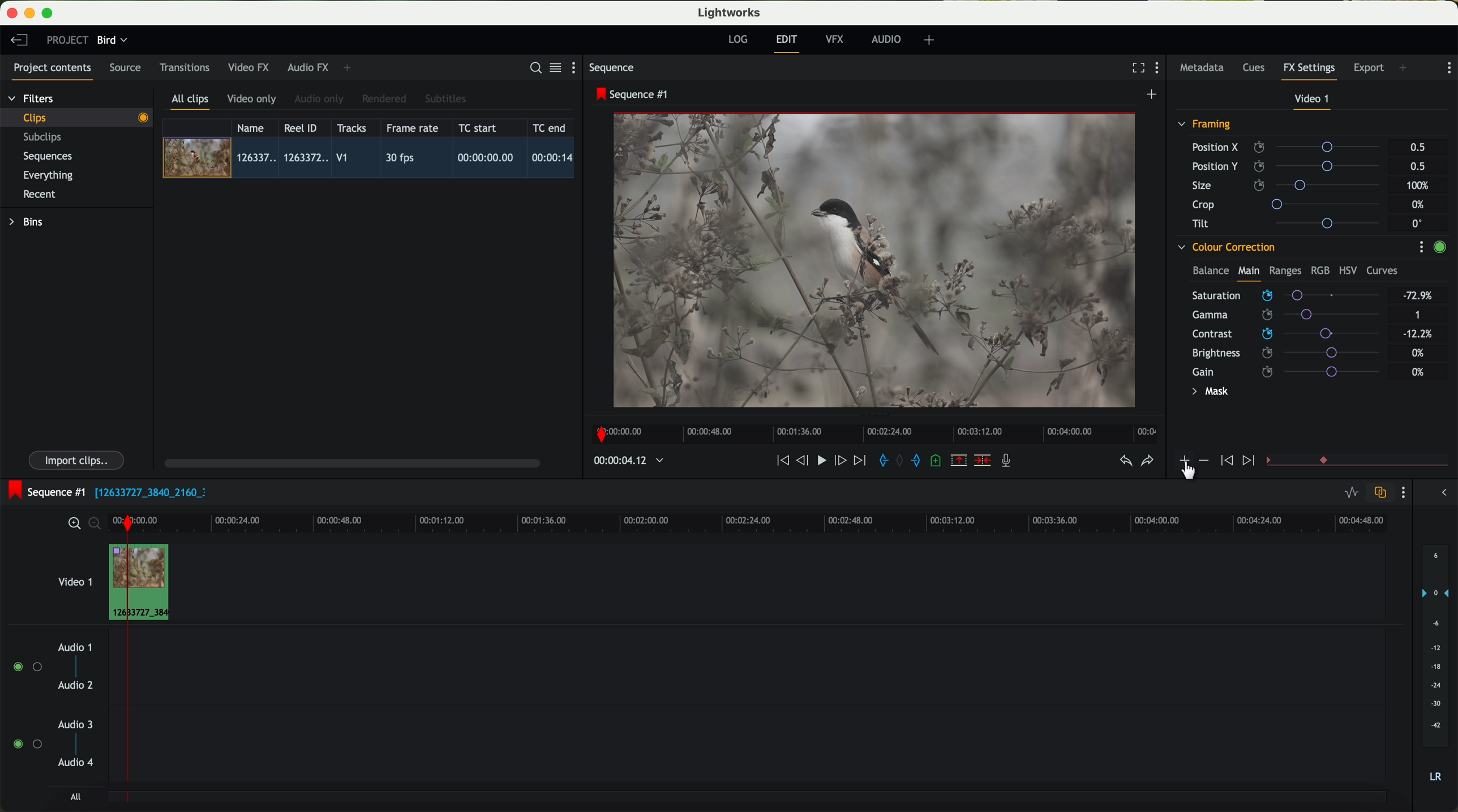 Image resolution: width=1458 pixels, height=812 pixels. What do you see at coordinates (1205, 126) in the screenshot?
I see `framing` at bounding box center [1205, 126].